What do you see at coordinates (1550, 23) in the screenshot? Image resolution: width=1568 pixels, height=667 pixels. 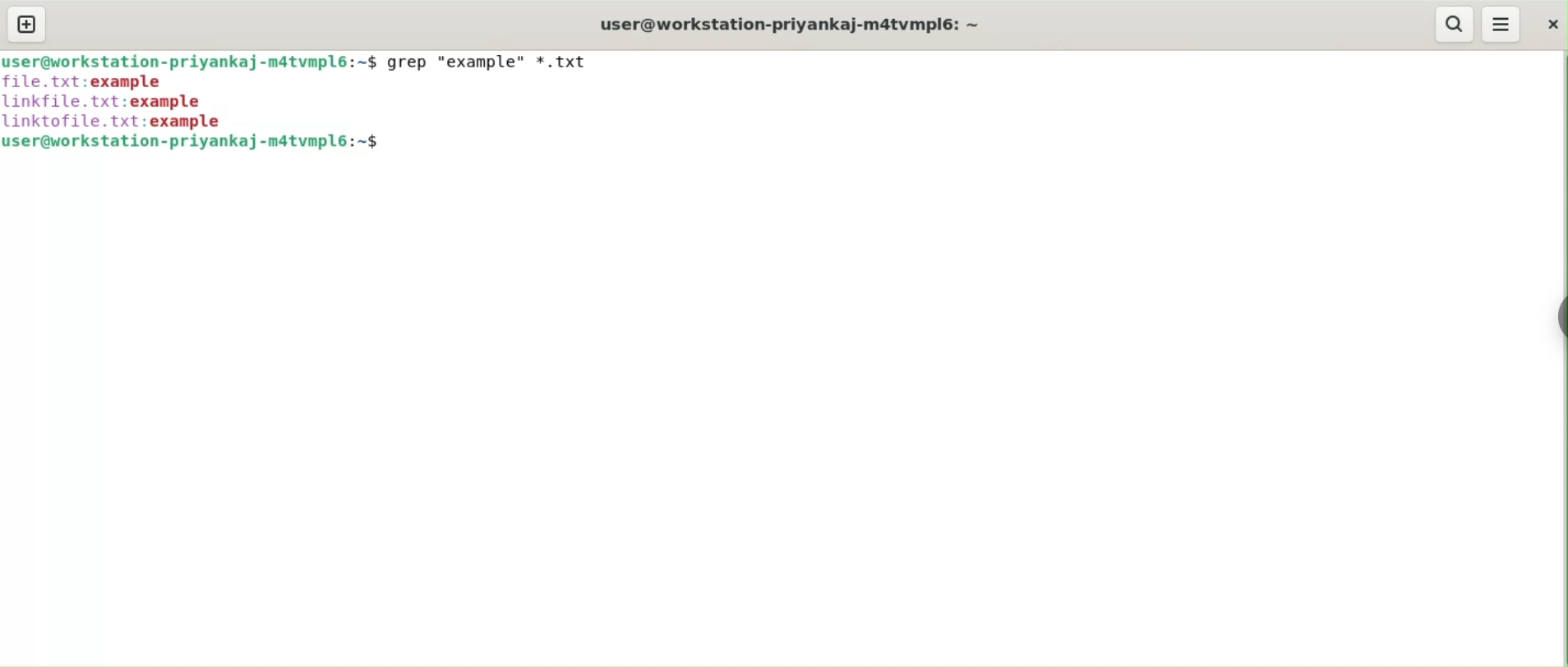 I see `close` at bounding box center [1550, 23].